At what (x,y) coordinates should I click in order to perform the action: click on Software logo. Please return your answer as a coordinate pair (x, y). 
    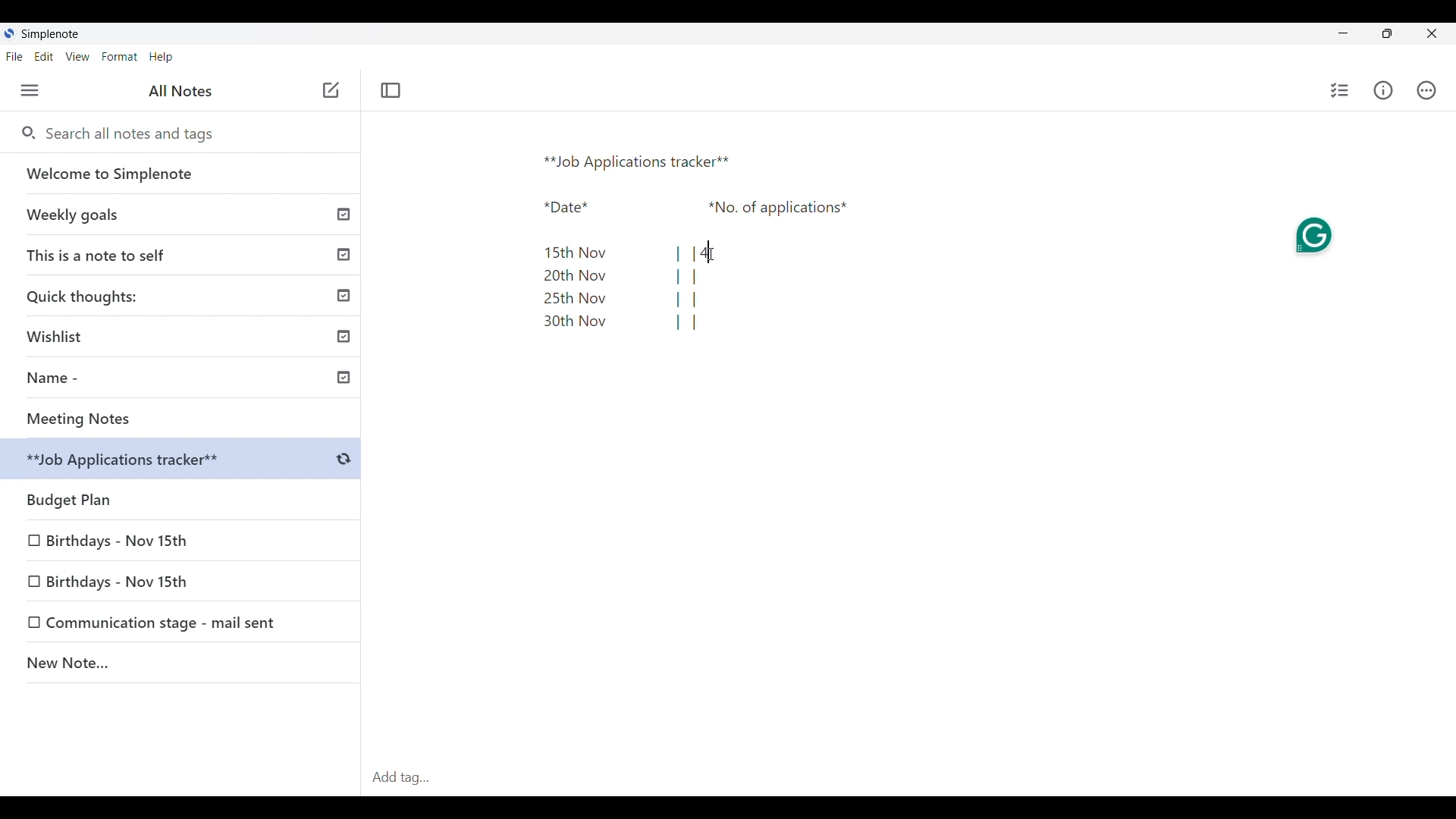
    Looking at the image, I should click on (8, 33).